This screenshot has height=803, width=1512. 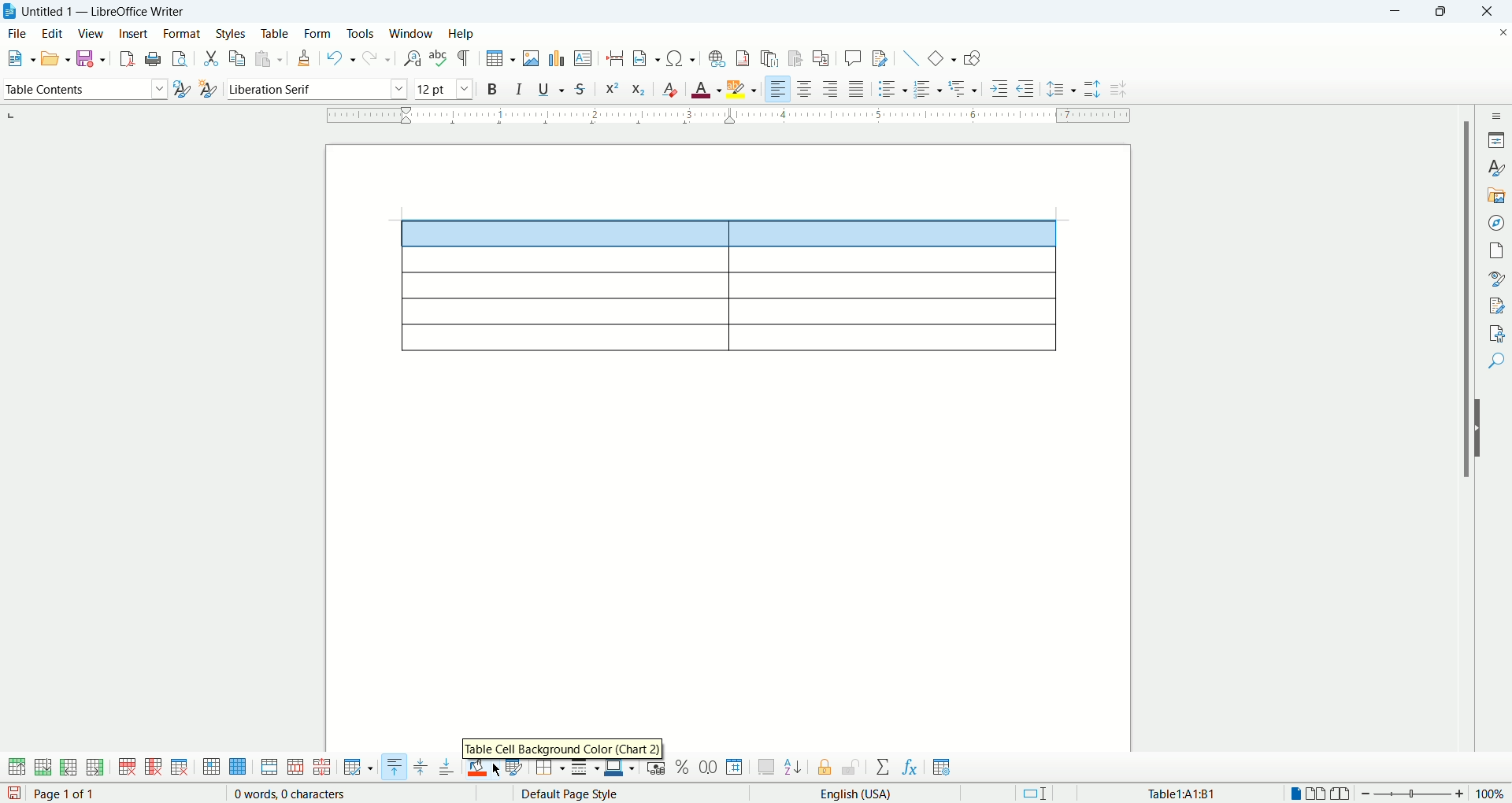 What do you see at coordinates (501, 58) in the screenshot?
I see `insert table` at bounding box center [501, 58].